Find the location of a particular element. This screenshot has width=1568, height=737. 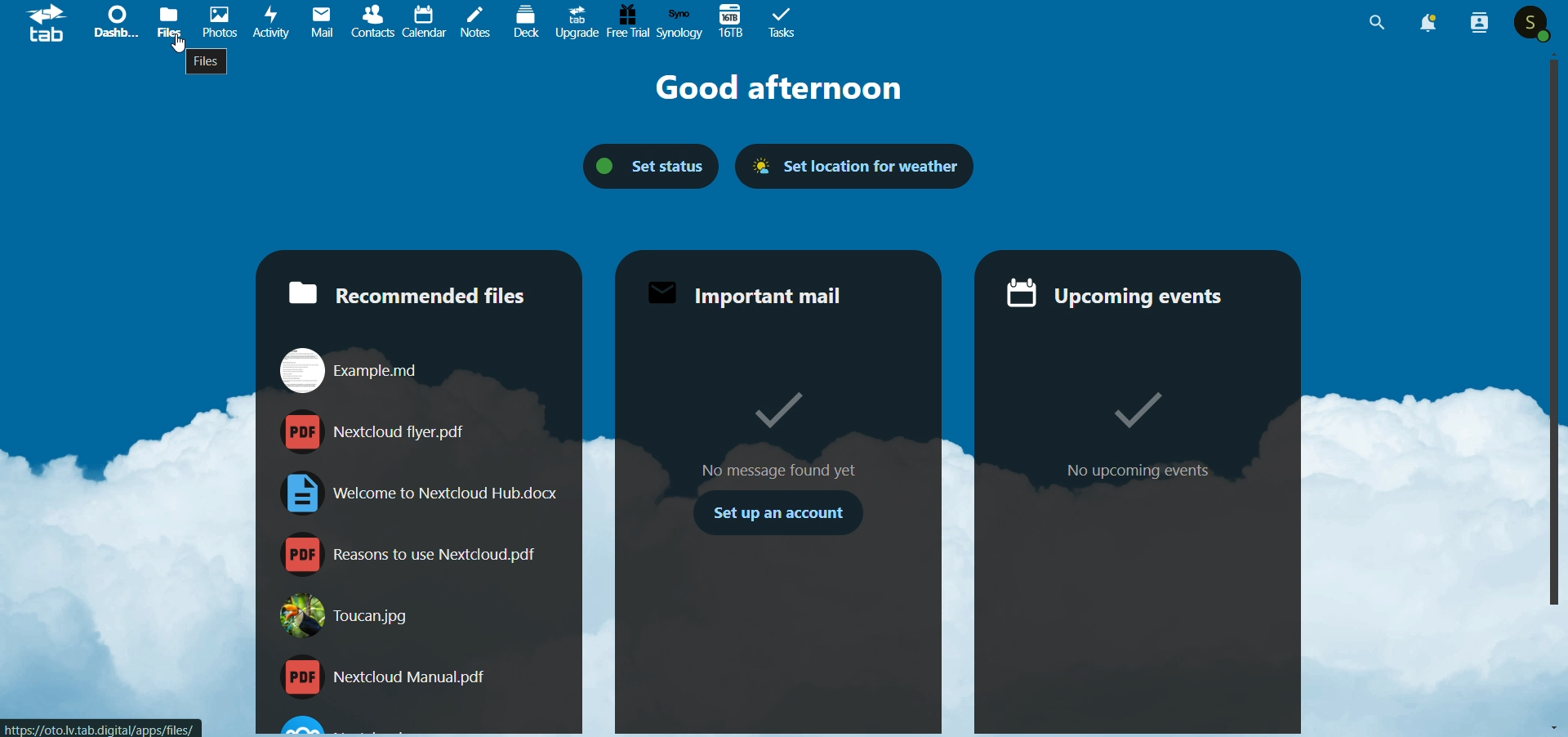

no upcoming events is located at coordinates (1143, 433).